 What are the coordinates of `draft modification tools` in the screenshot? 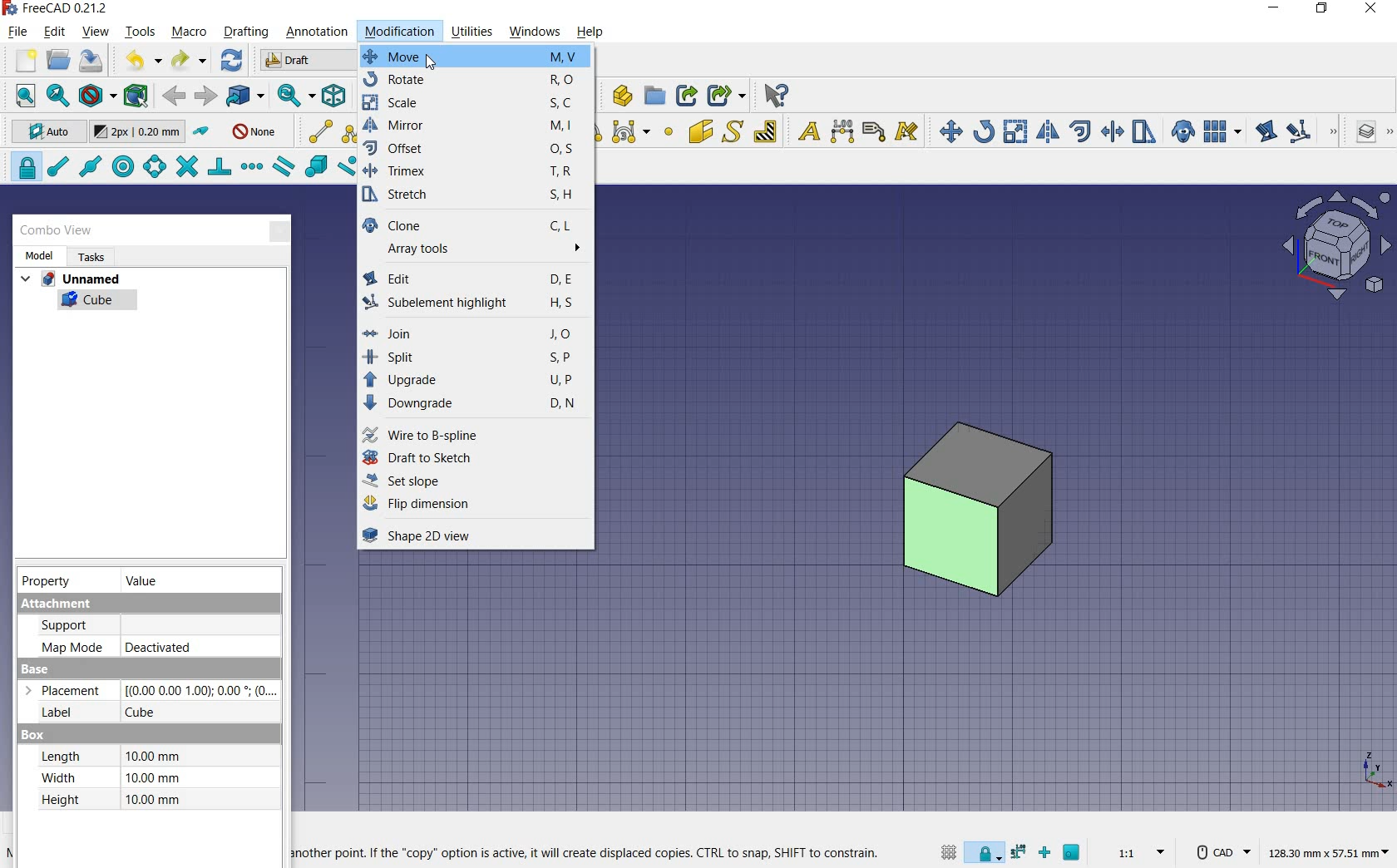 It's located at (1335, 133).